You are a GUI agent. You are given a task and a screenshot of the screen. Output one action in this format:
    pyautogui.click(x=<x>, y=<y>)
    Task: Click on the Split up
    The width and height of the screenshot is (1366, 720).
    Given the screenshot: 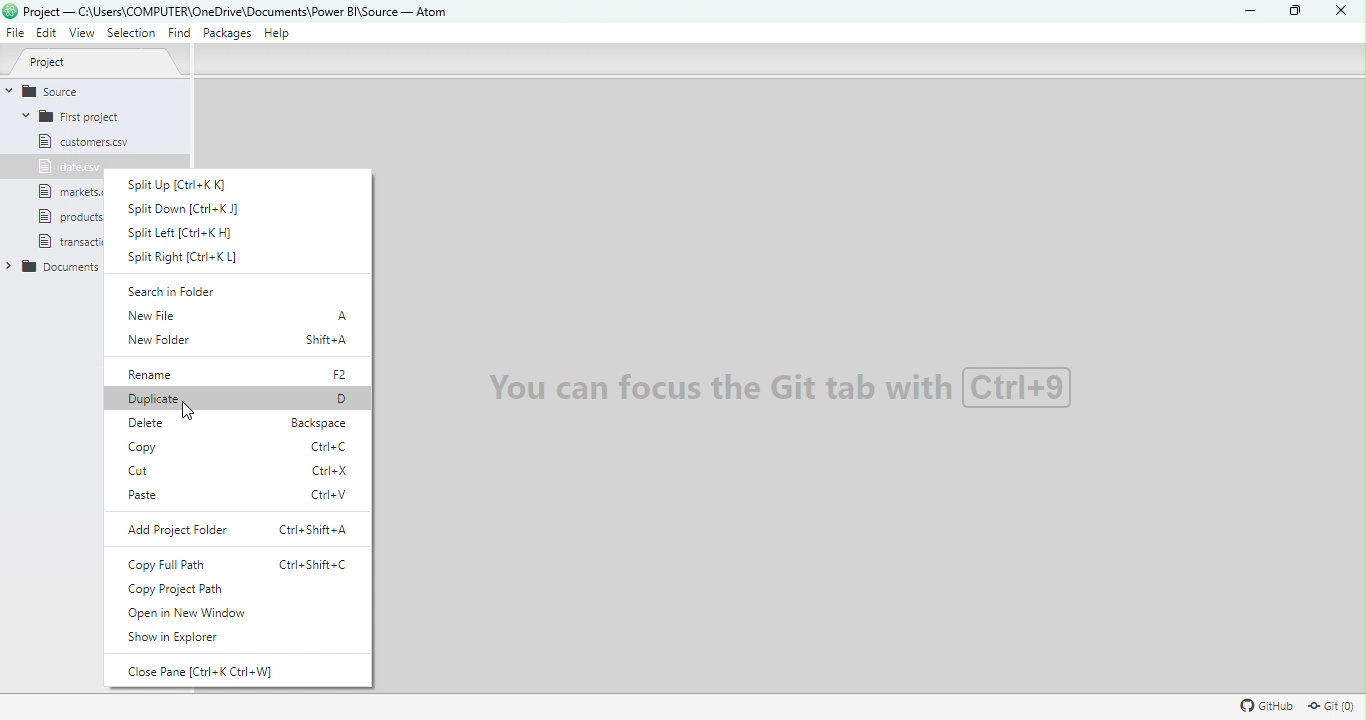 What is the action you would take?
    pyautogui.click(x=199, y=183)
    